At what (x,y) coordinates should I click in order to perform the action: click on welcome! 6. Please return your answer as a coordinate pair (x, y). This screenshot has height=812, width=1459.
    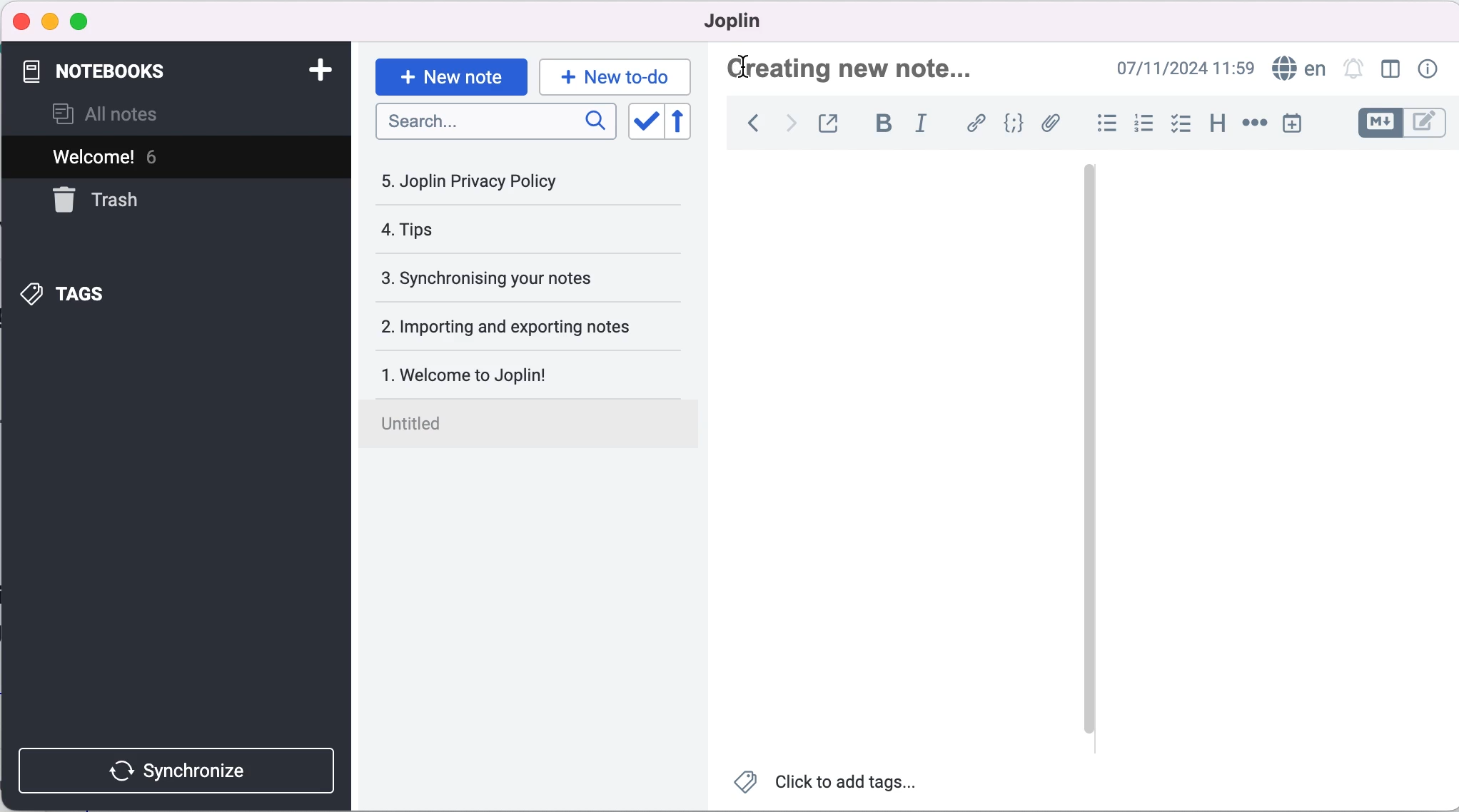
    Looking at the image, I should click on (171, 158).